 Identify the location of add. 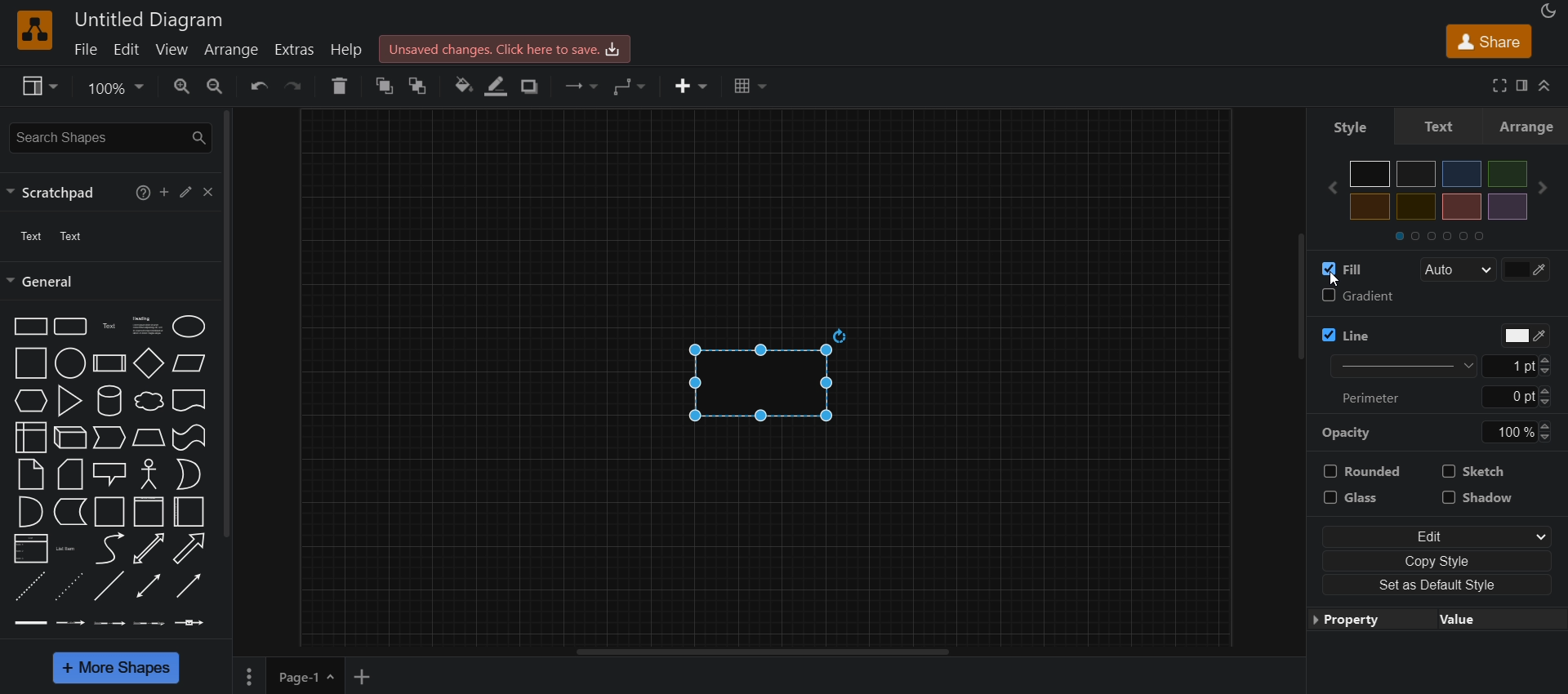
(164, 193).